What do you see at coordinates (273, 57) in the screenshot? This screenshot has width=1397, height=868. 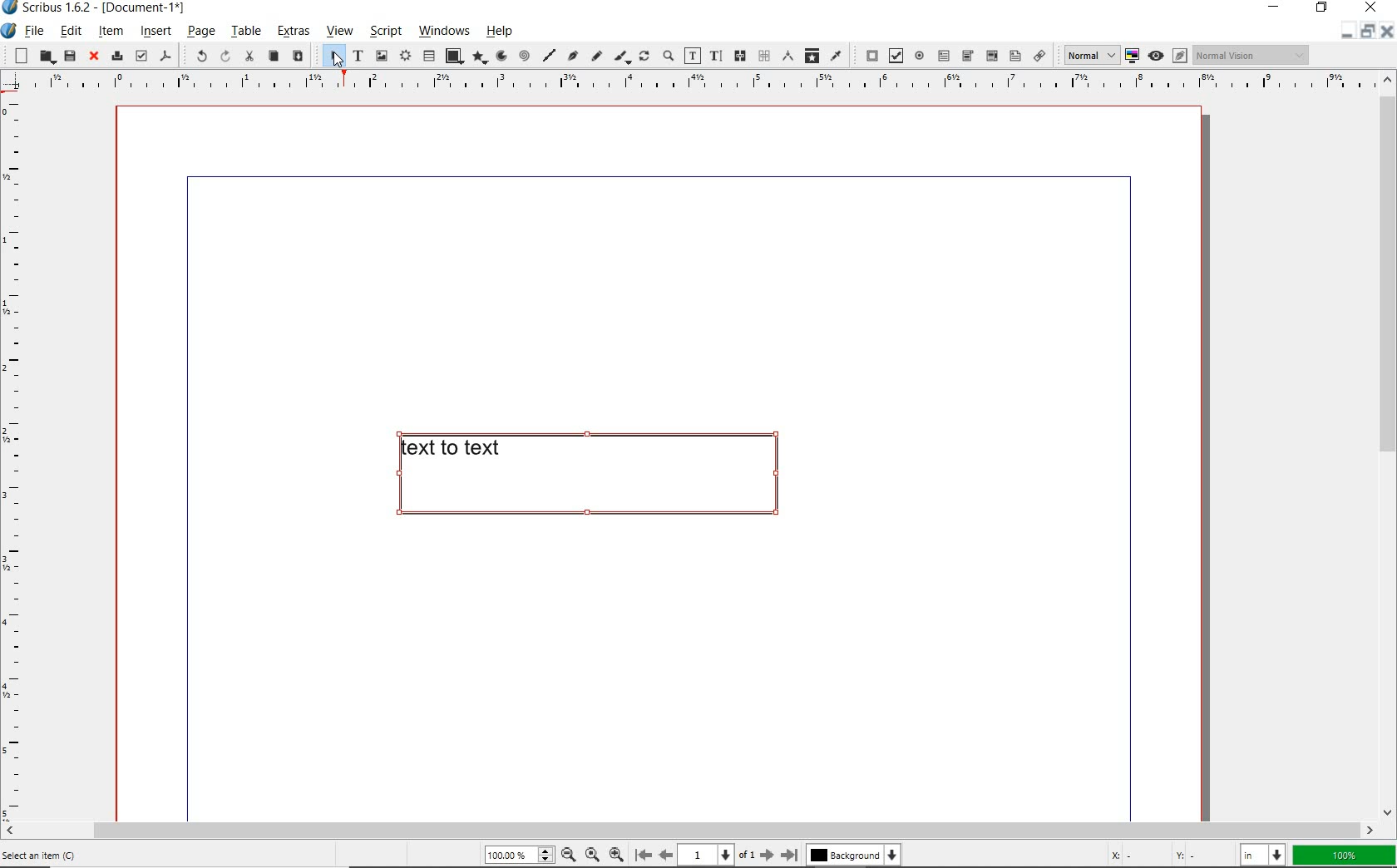 I see `copy` at bounding box center [273, 57].